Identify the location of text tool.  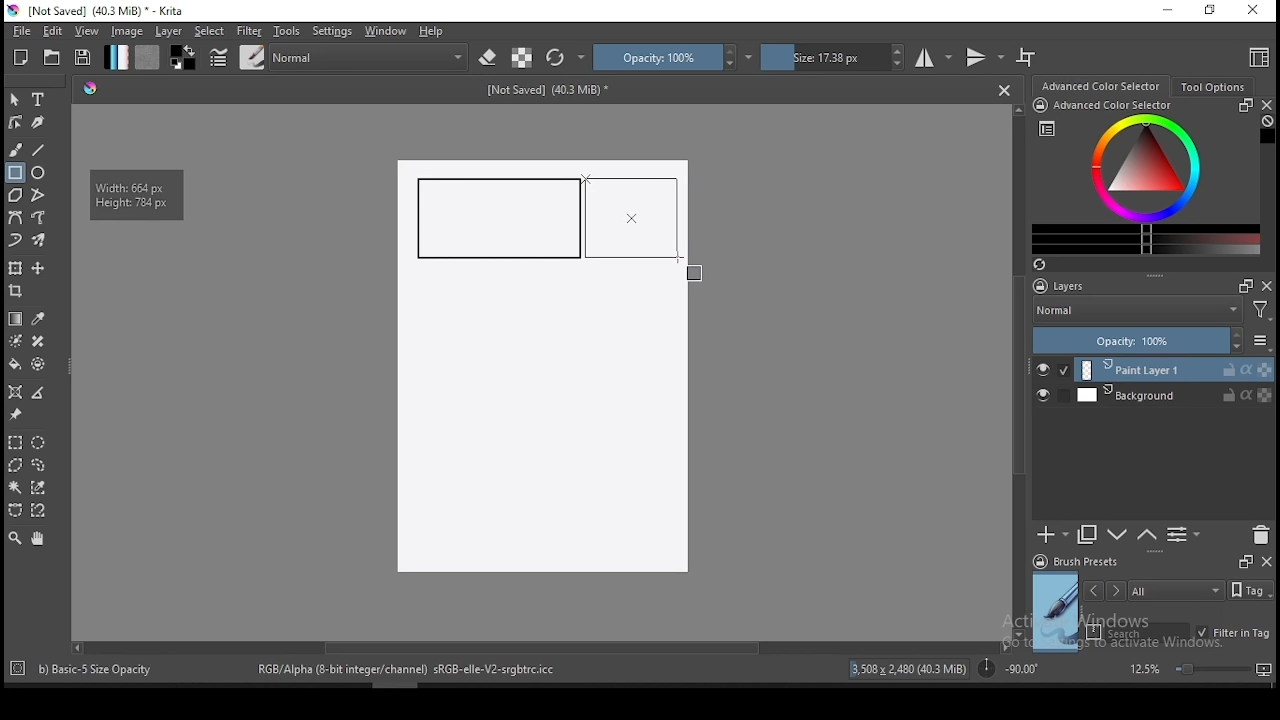
(39, 100).